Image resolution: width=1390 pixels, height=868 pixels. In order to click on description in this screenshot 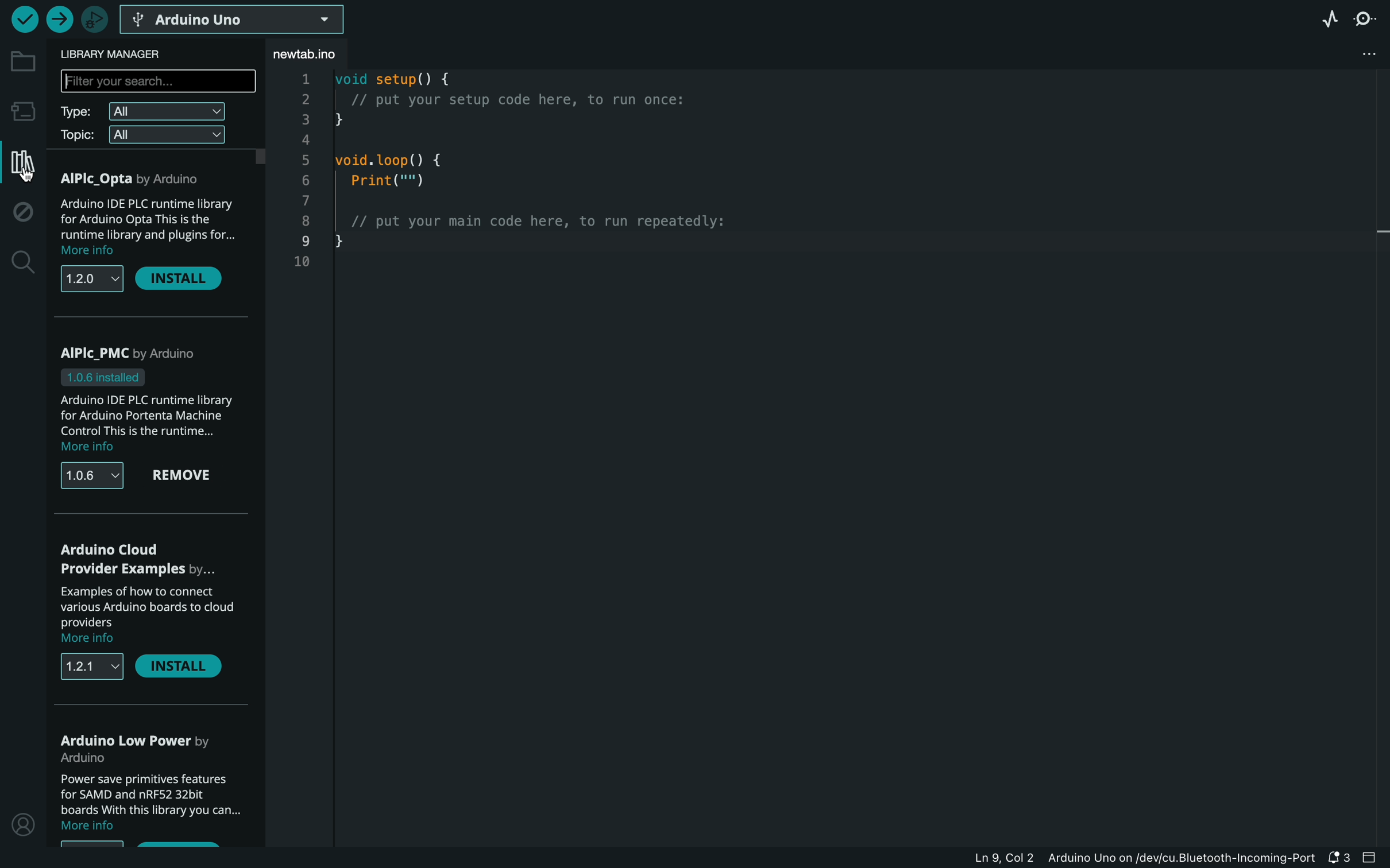, I will do `click(150, 614)`.